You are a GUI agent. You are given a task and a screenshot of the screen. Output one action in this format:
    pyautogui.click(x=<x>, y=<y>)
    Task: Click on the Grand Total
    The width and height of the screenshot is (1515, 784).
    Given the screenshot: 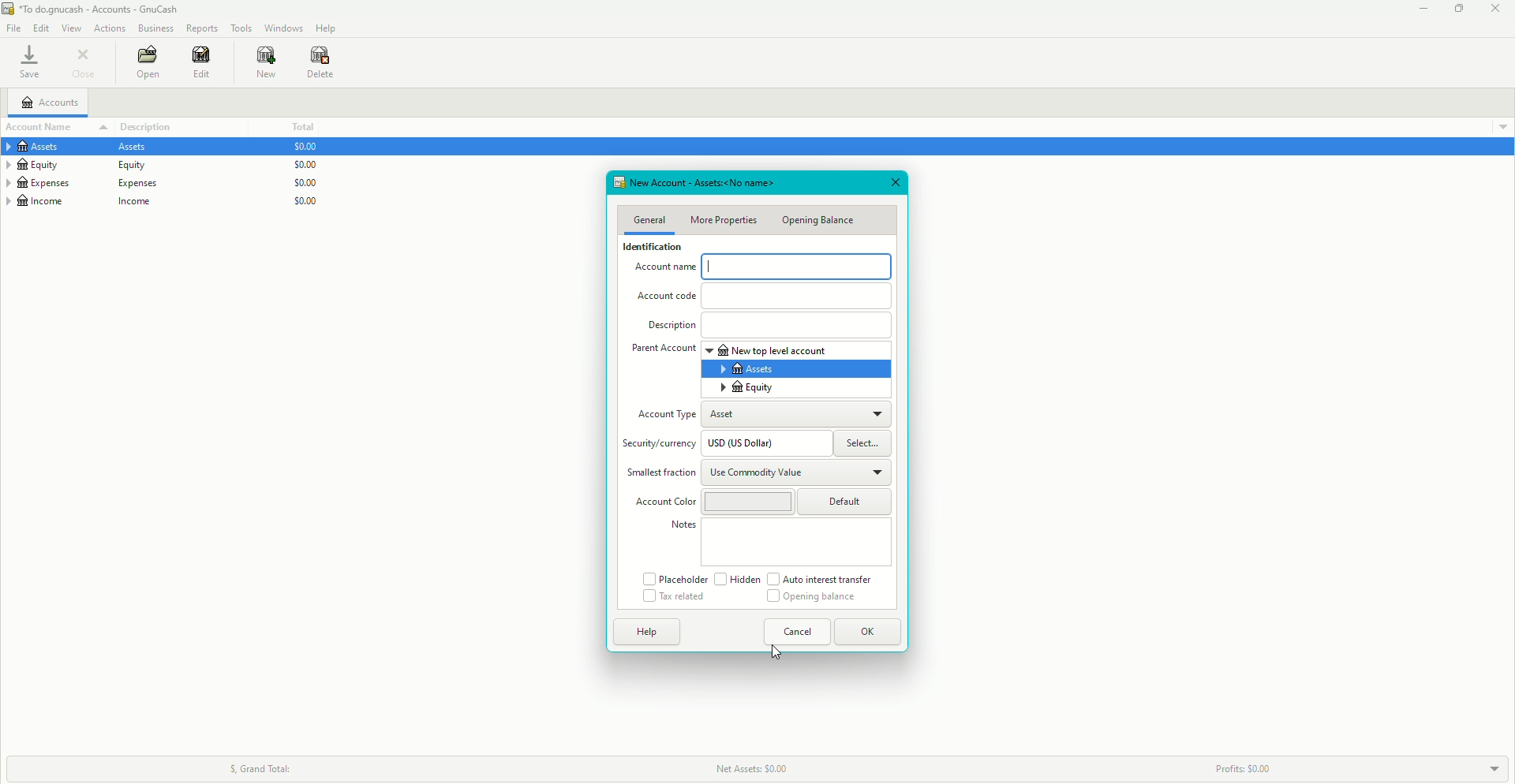 What is the action you would take?
    pyautogui.click(x=258, y=766)
    